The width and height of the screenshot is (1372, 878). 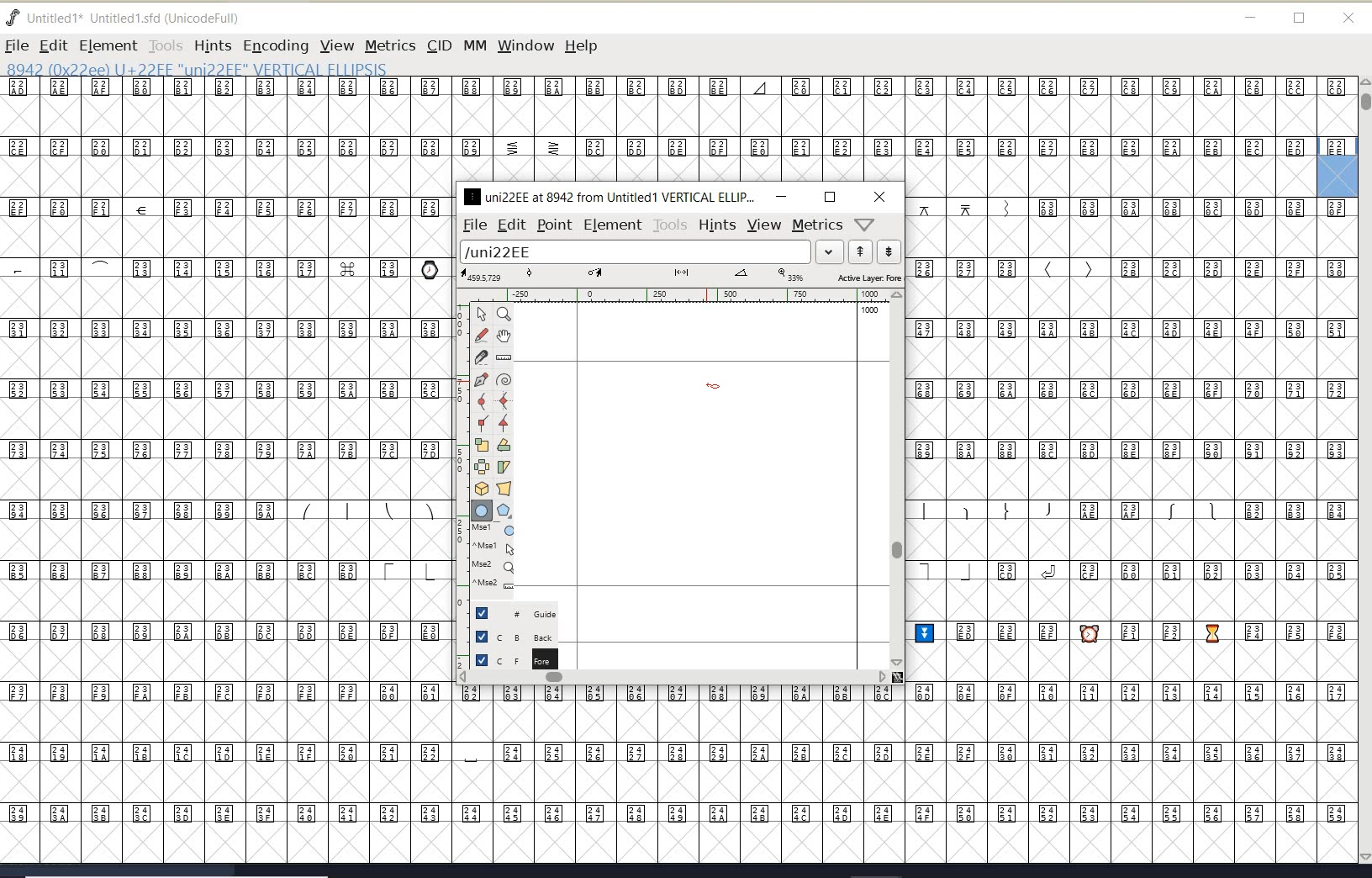 I want to click on fontforge logo, so click(x=13, y=18).